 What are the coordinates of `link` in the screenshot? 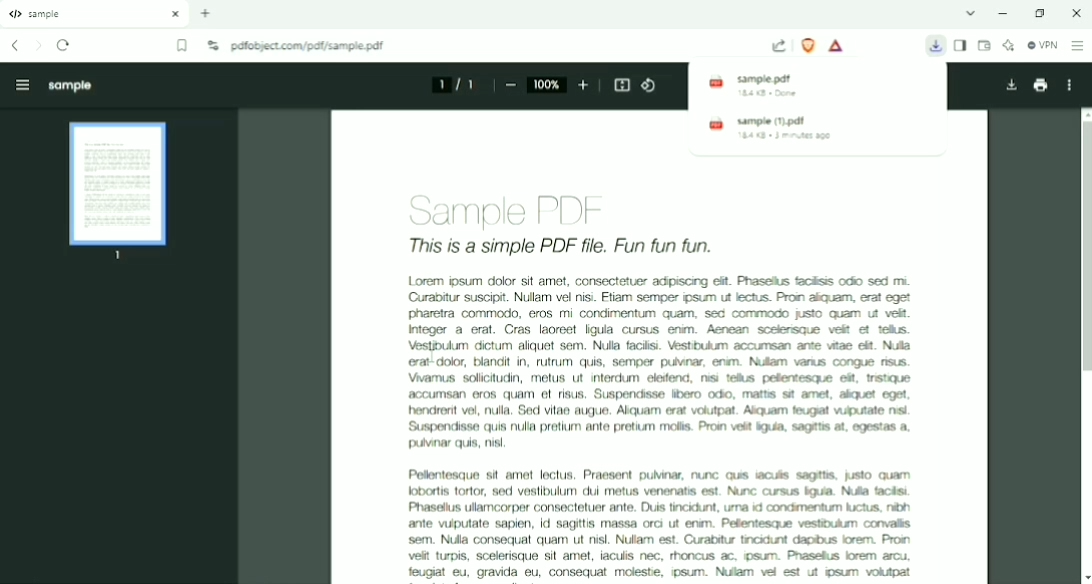 It's located at (493, 46).